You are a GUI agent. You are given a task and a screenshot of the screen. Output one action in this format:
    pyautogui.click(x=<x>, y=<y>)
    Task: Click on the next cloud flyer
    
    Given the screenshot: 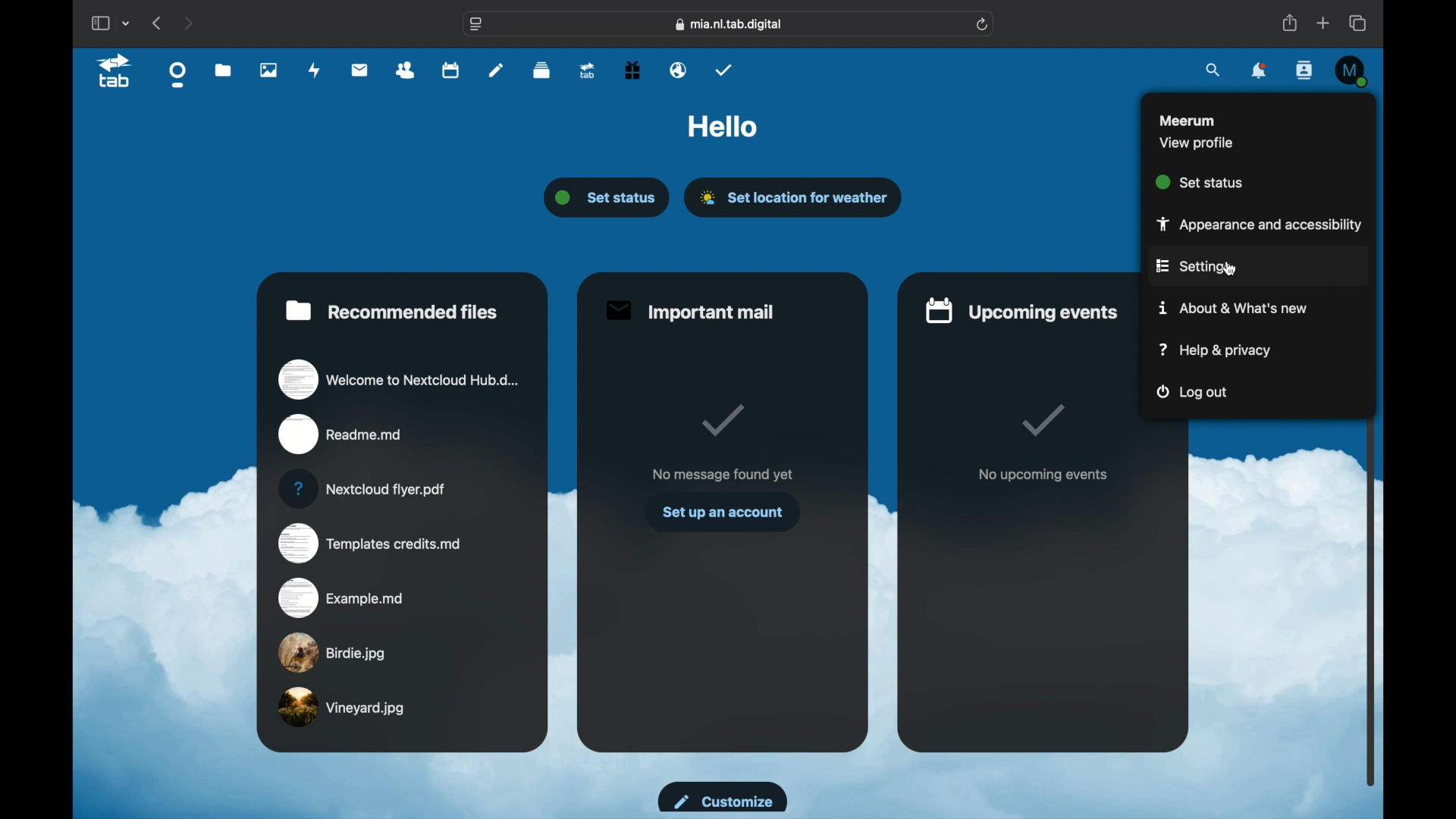 What is the action you would take?
    pyautogui.click(x=362, y=489)
    